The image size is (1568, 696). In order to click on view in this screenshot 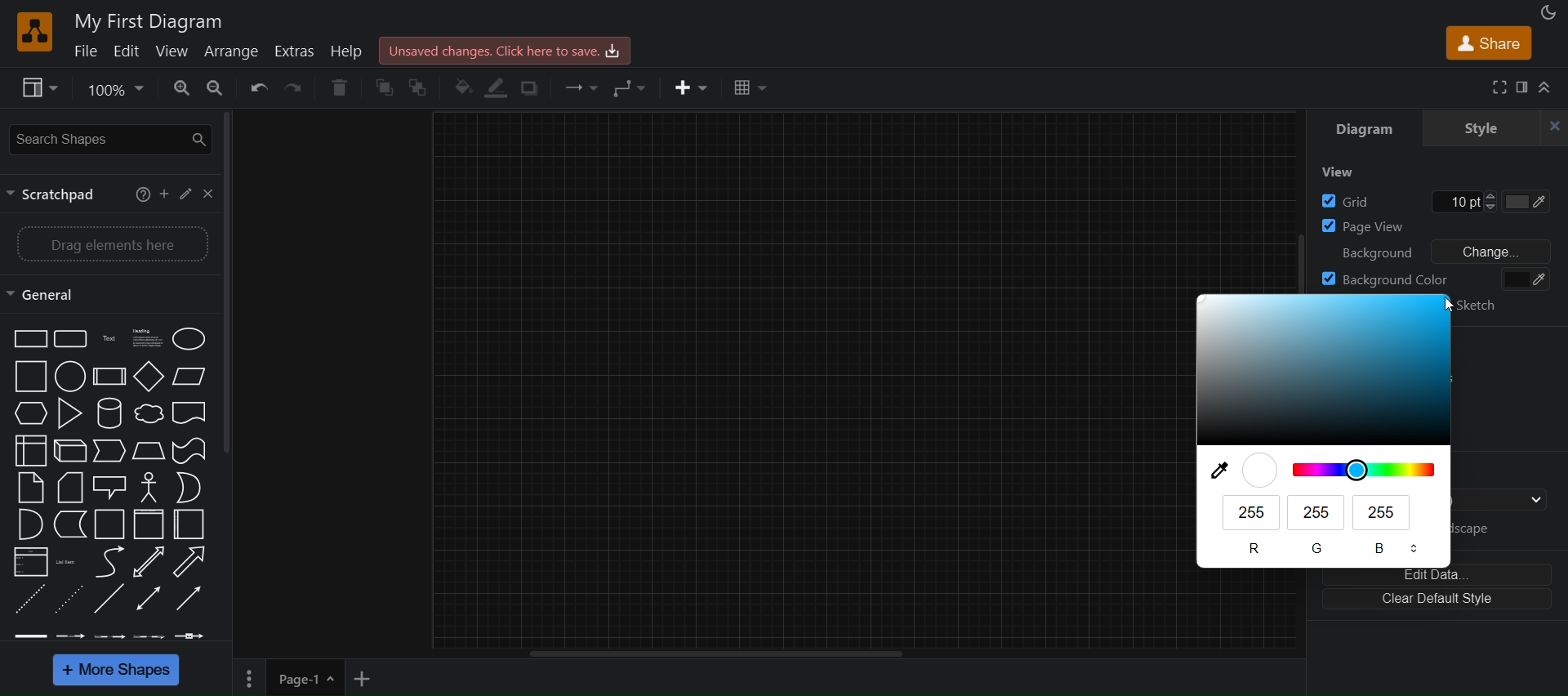, I will do `click(172, 53)`.